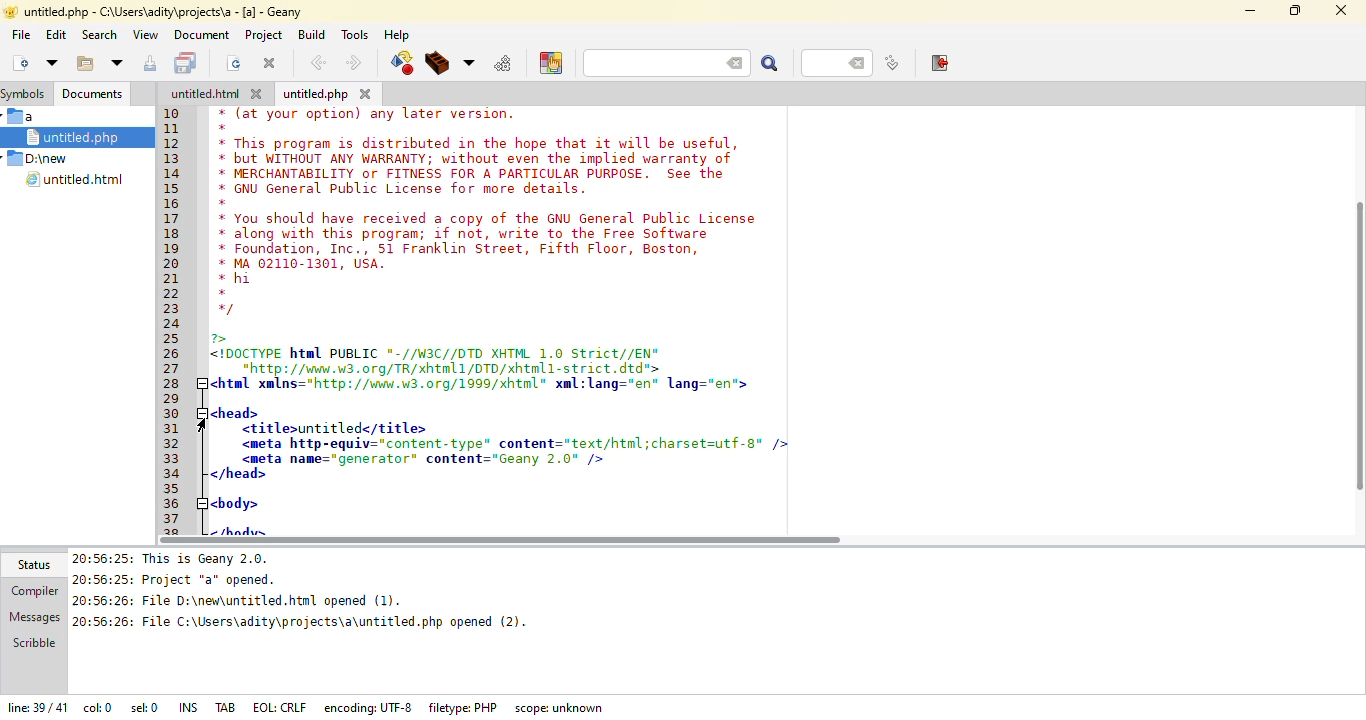  I want to click on minimize, so click(1250, 10).